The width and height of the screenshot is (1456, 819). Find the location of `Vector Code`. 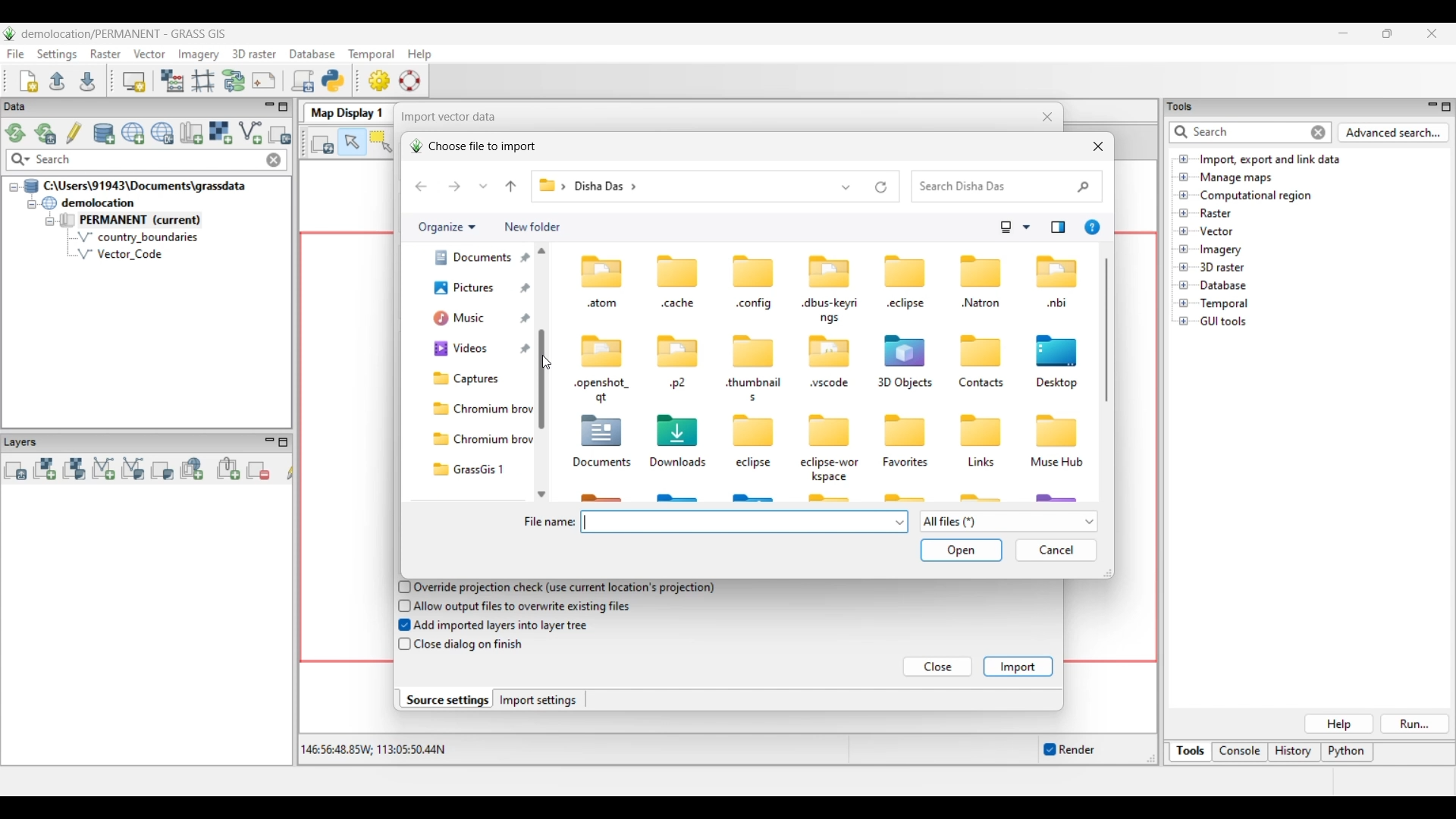

Vector Code is located at coordinates (128, 253).